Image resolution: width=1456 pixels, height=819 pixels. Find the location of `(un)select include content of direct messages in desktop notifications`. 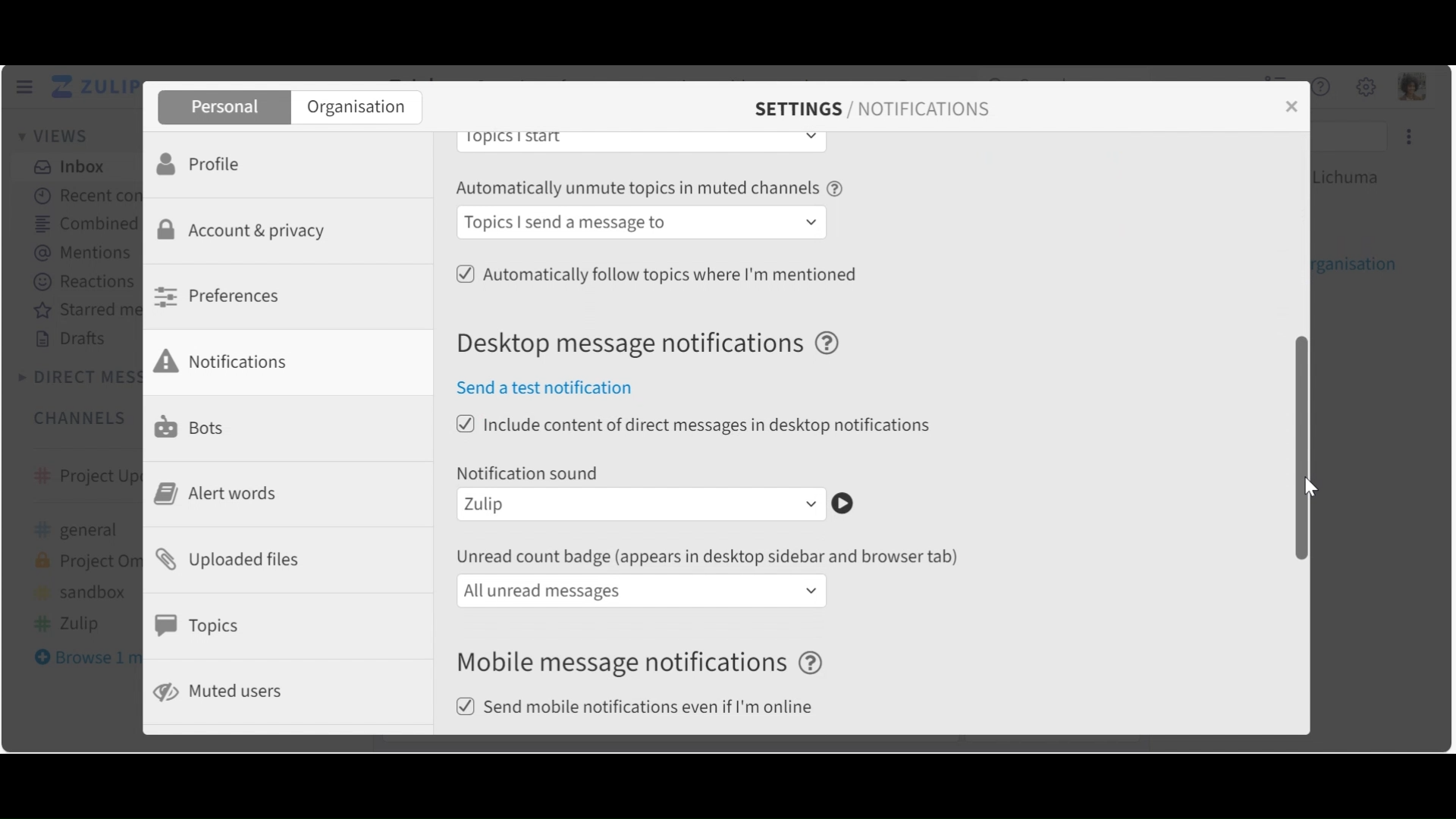

(un)select include content of direct messages in desktop notifications is located at coordinates (695, 425).